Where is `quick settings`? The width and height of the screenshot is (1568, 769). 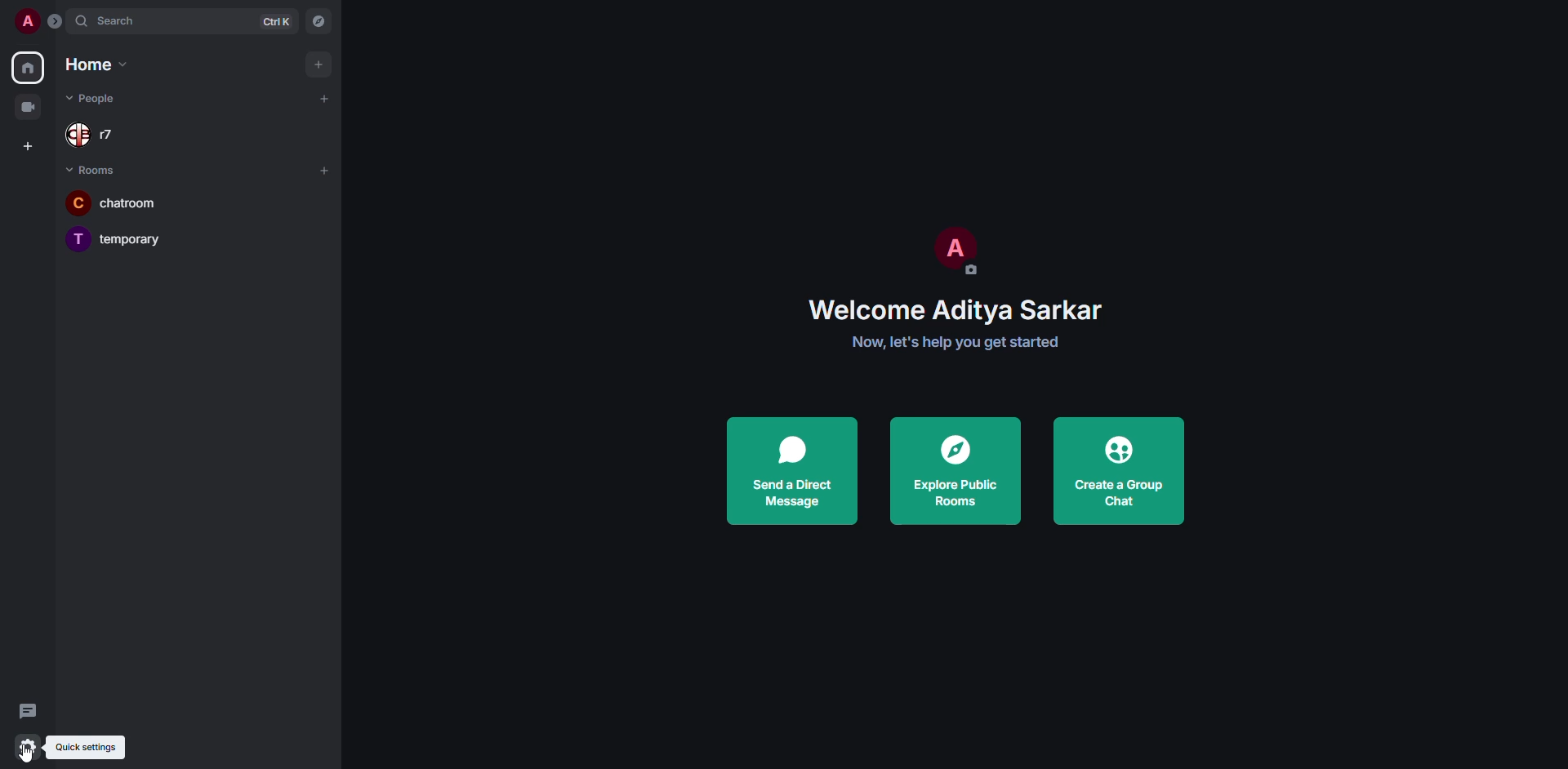 quick settings is located at coordinates (26, 745).